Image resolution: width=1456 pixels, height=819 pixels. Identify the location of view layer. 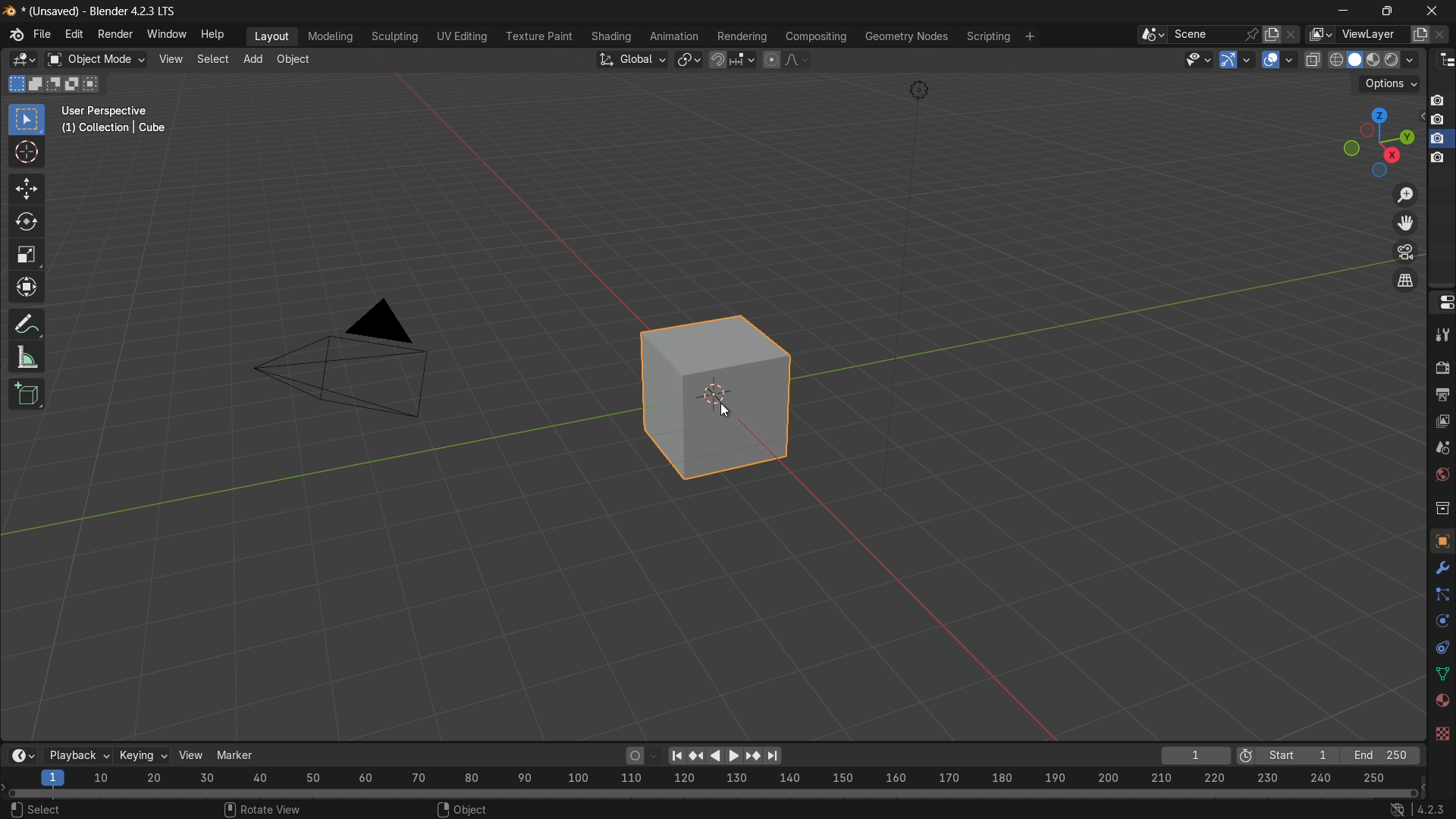
(1442, 419).